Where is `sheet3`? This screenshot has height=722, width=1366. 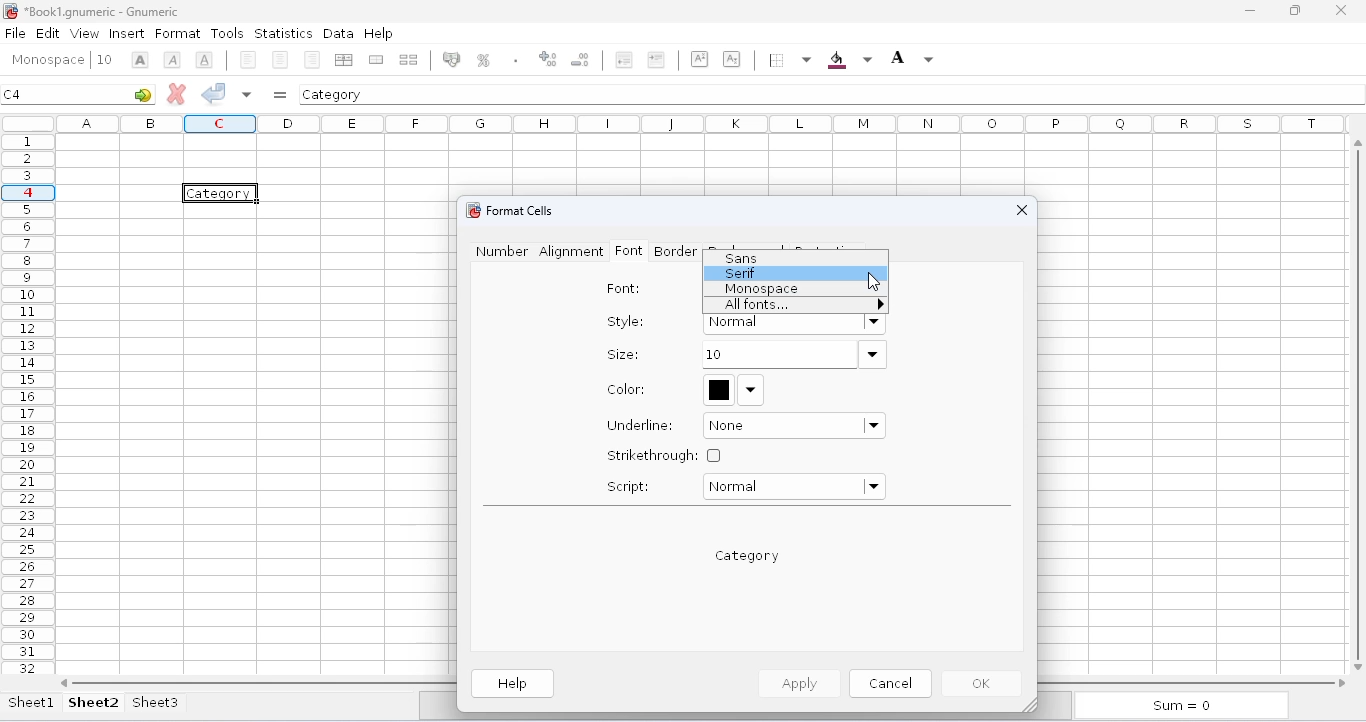
sheet3 is located at coordinates (155, 702).